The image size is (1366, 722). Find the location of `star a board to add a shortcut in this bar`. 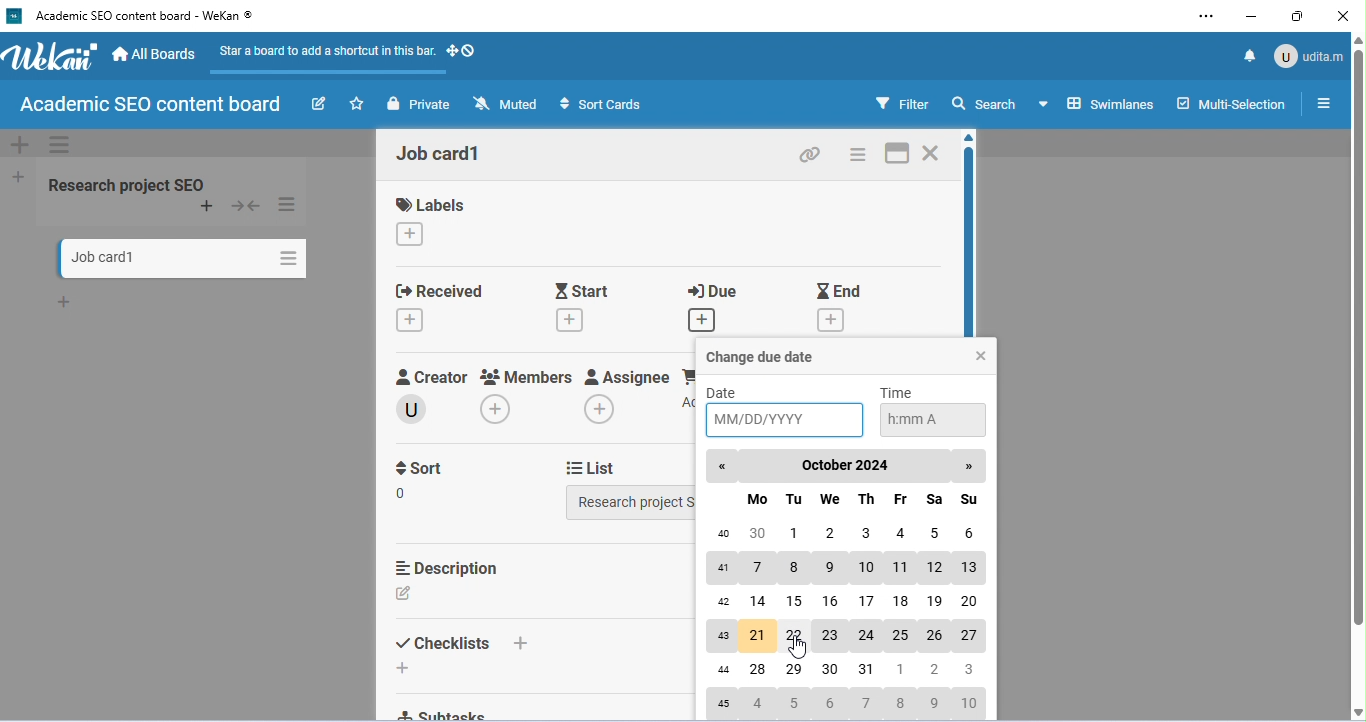

star a board to add a shortcut in this bar is located at coordinates (323, 57).